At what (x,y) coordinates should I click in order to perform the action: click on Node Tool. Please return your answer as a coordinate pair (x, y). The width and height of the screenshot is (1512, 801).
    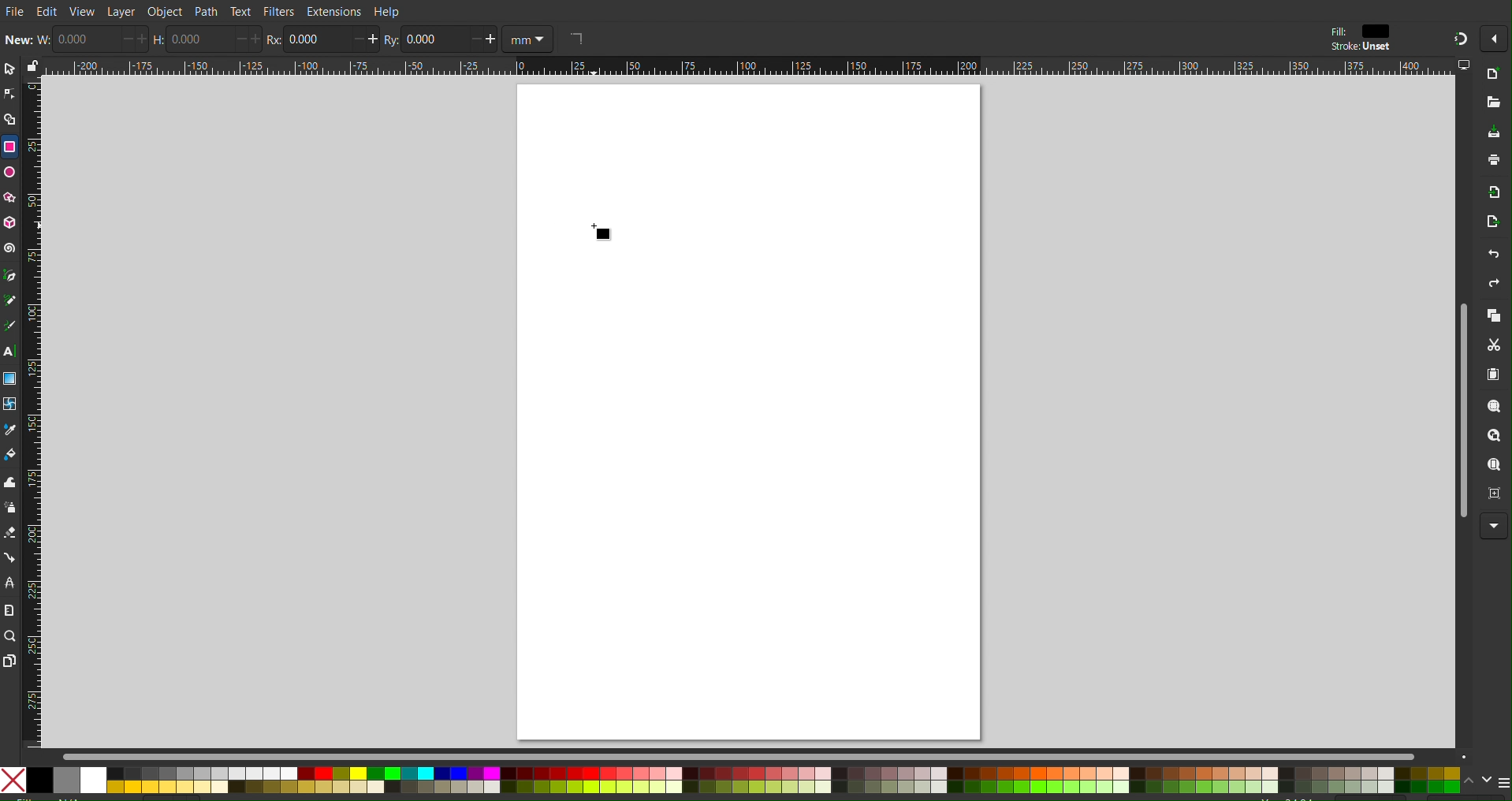
    Looking at the image, I should click on (9, 91).